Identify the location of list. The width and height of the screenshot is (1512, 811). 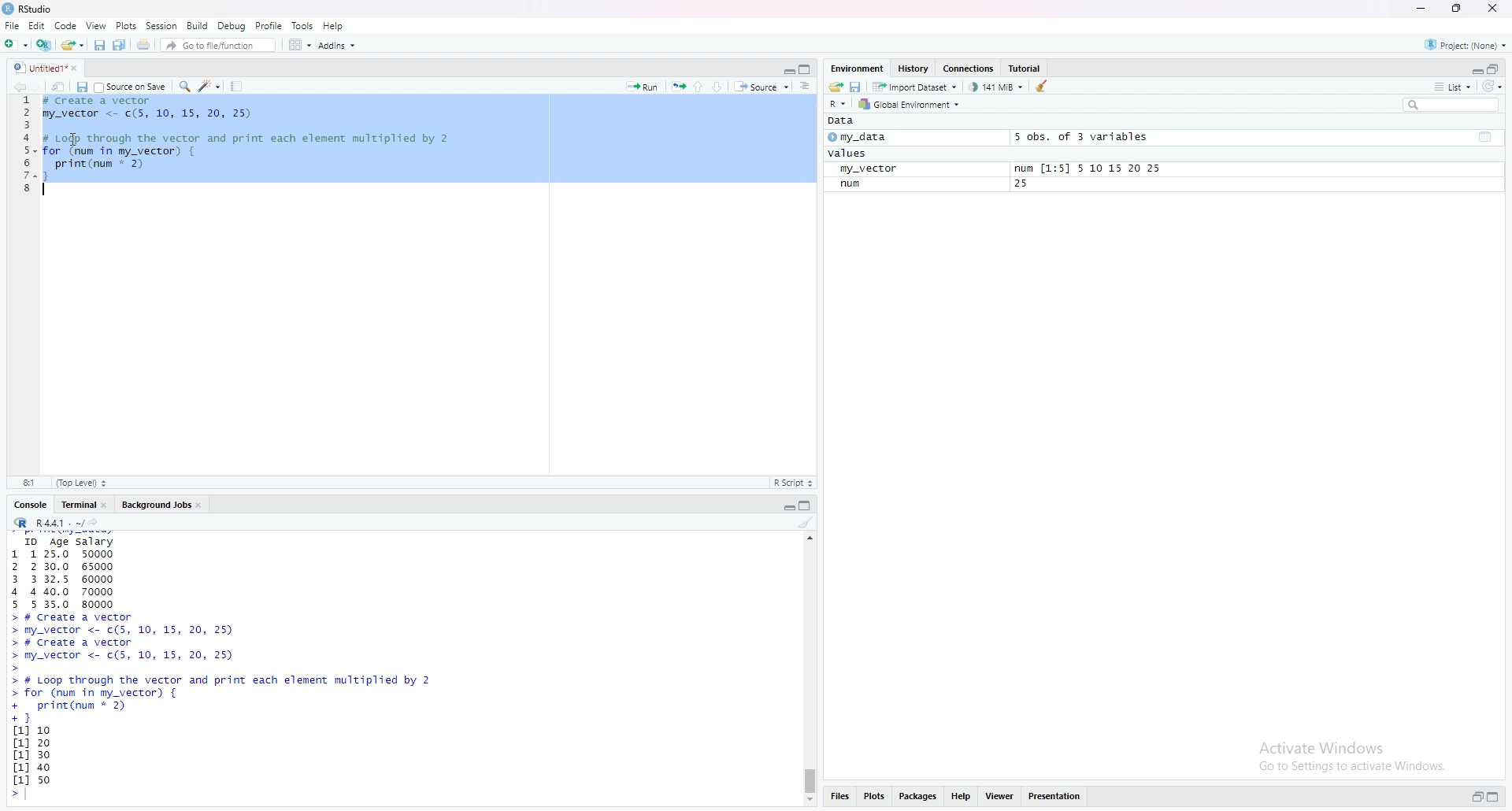
(1453, 88).